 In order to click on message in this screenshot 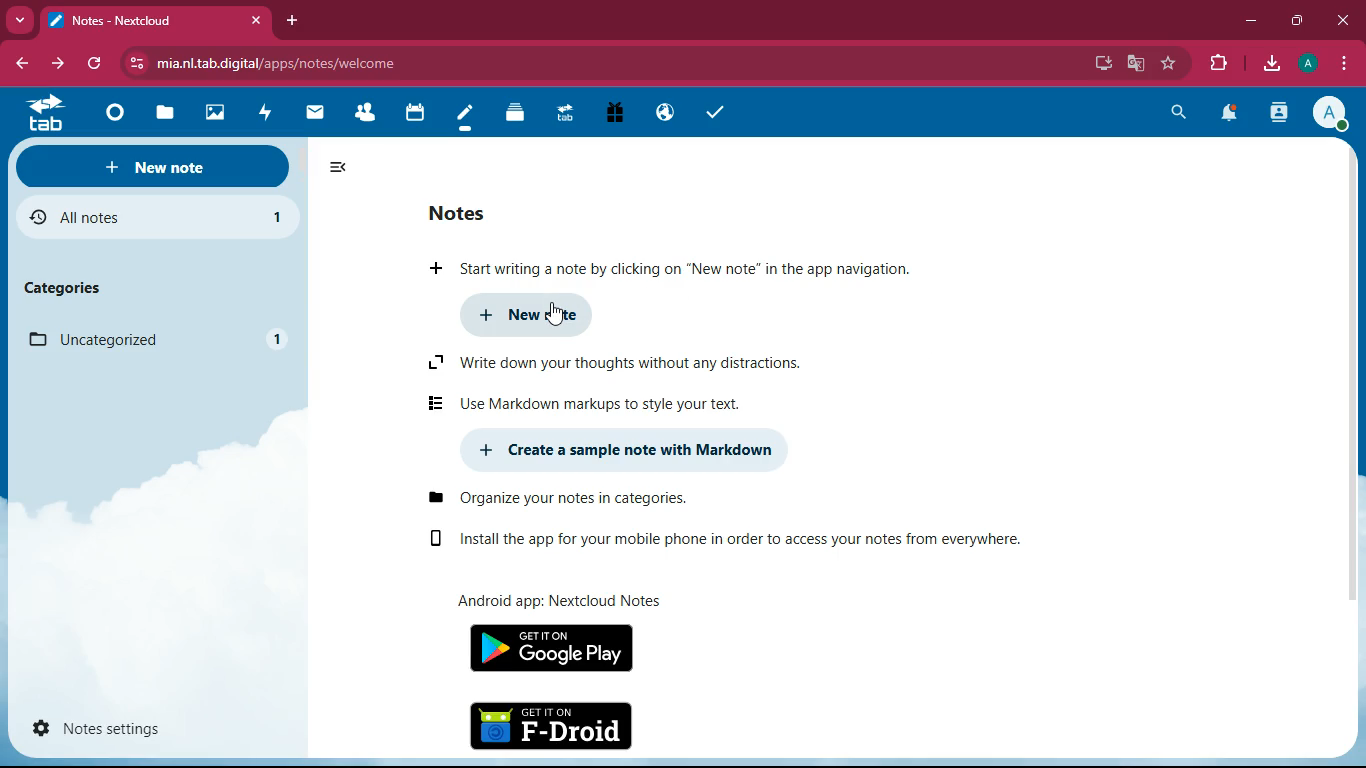, I will do `click(318, 111)`.